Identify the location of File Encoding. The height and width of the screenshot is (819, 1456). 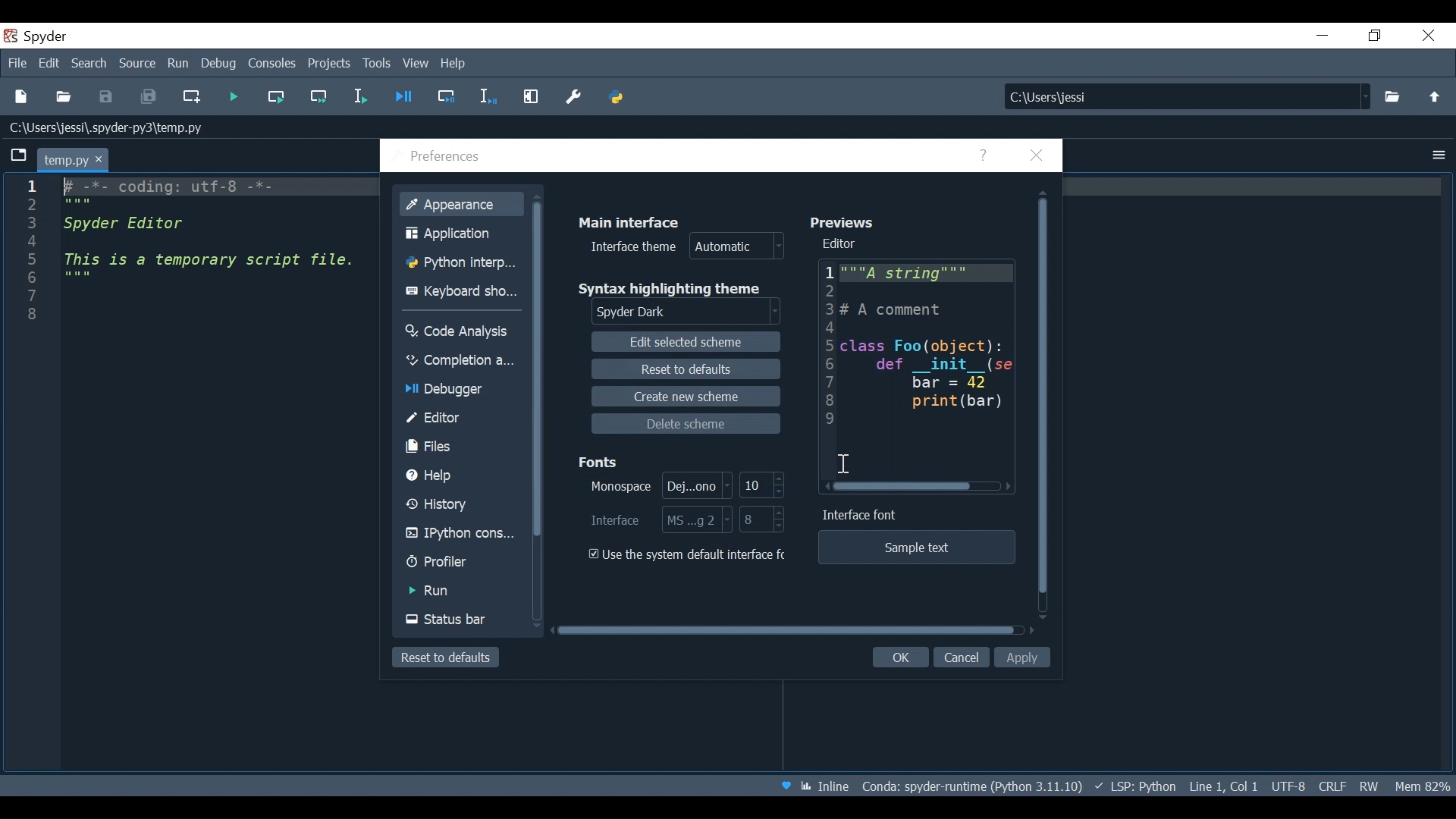
(1287, 786).